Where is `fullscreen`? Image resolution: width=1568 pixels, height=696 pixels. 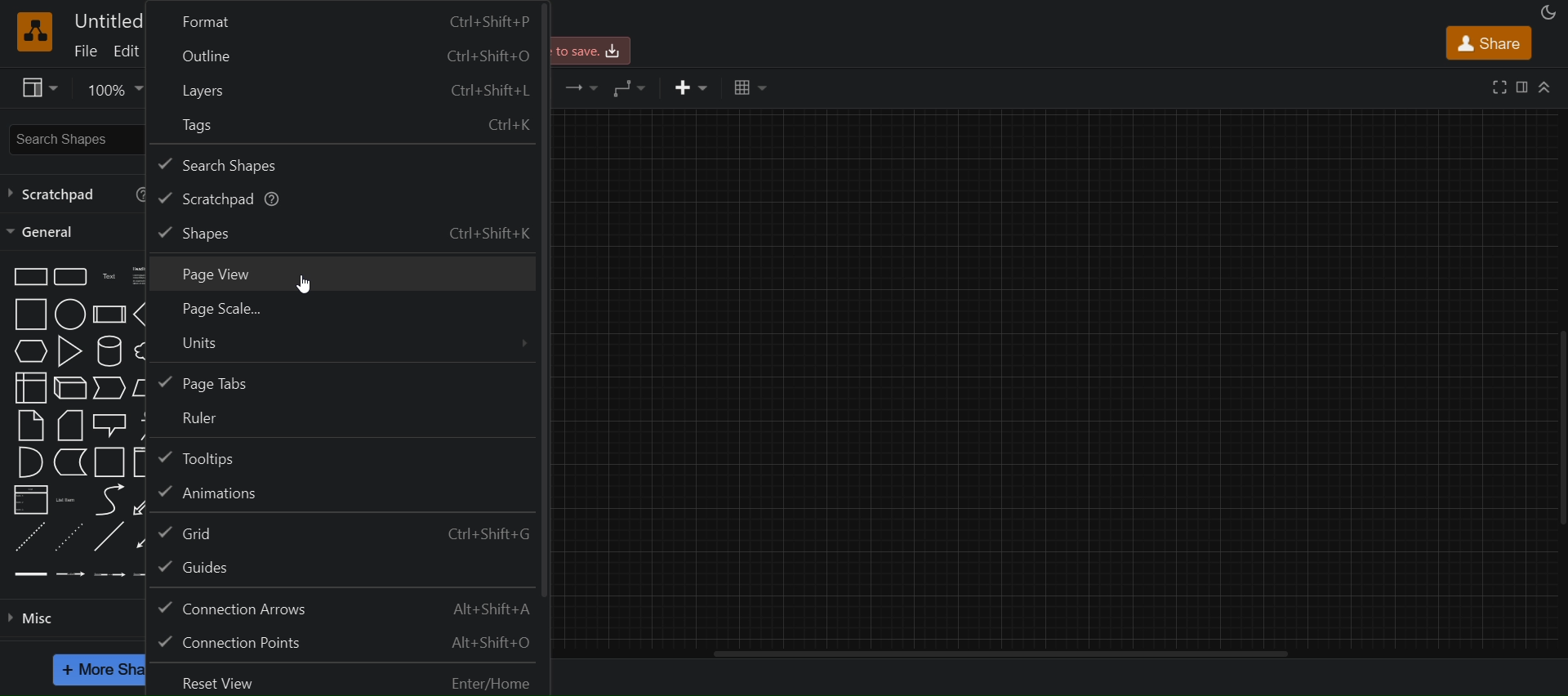 fullscreen is located at coordinates (1500, 87).